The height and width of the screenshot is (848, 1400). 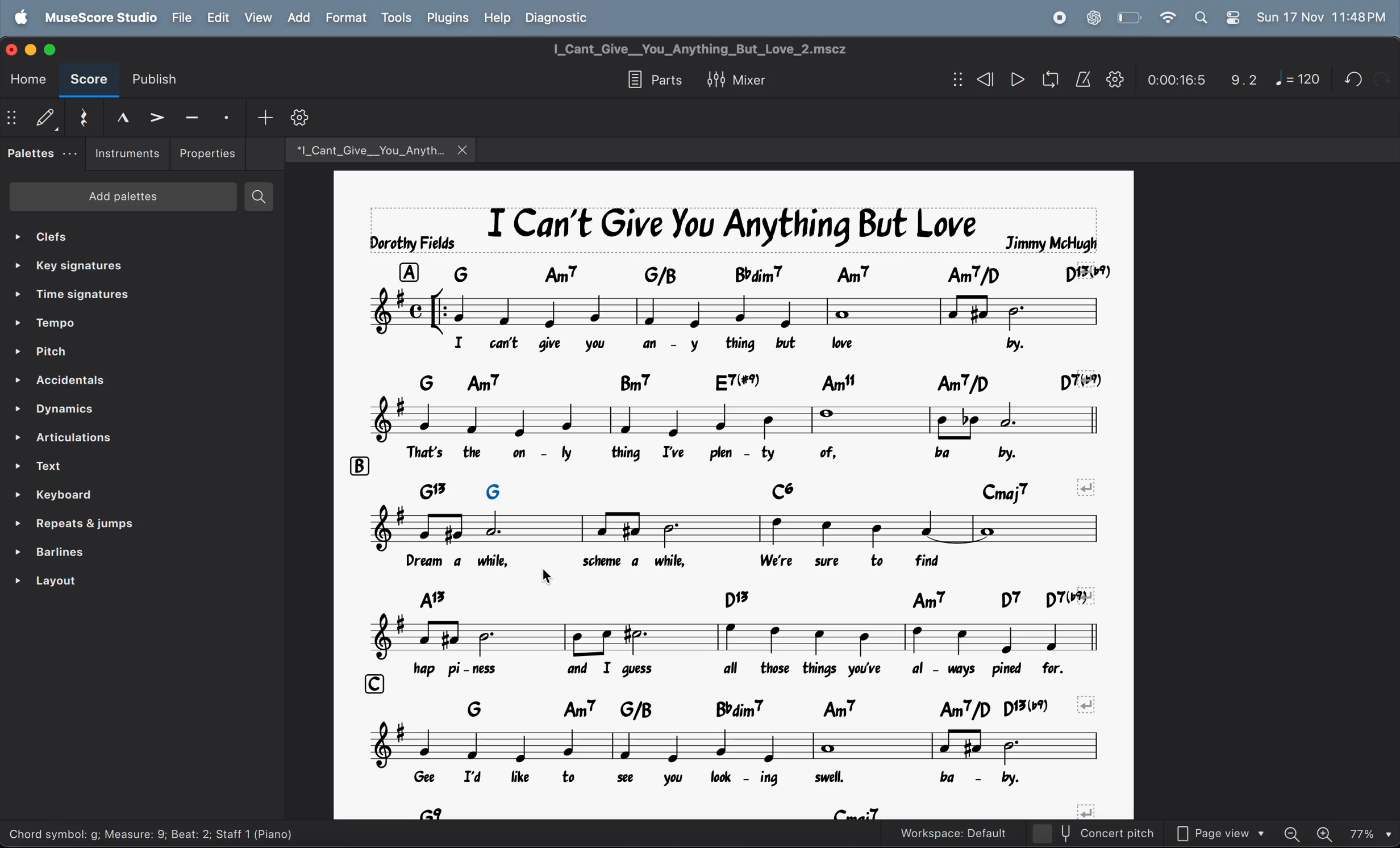 I want to click on marcato, so click(x=121, y=116).